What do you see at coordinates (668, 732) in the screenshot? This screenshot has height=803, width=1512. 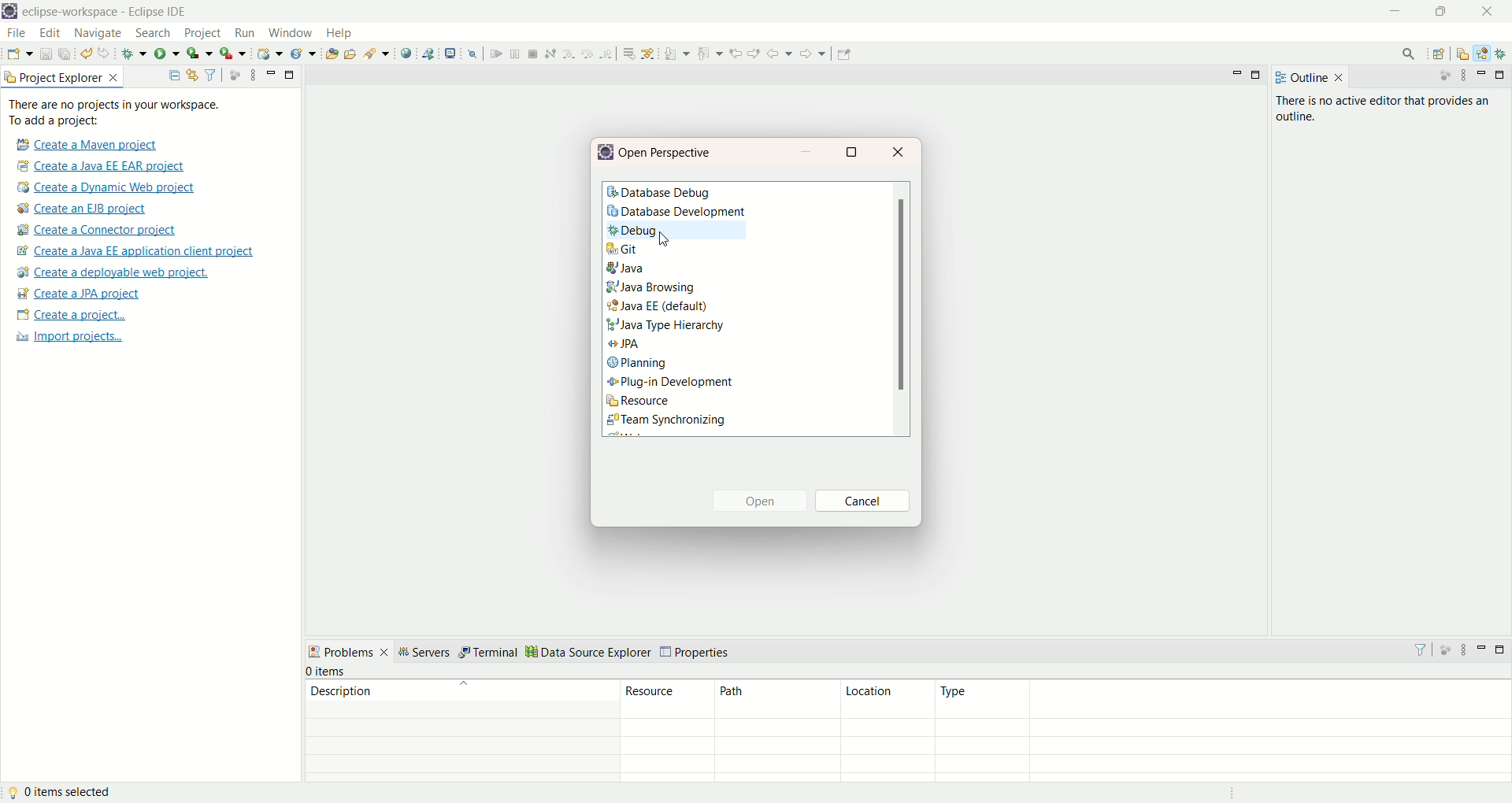 I see `resources` at bounding box center [668, 732].